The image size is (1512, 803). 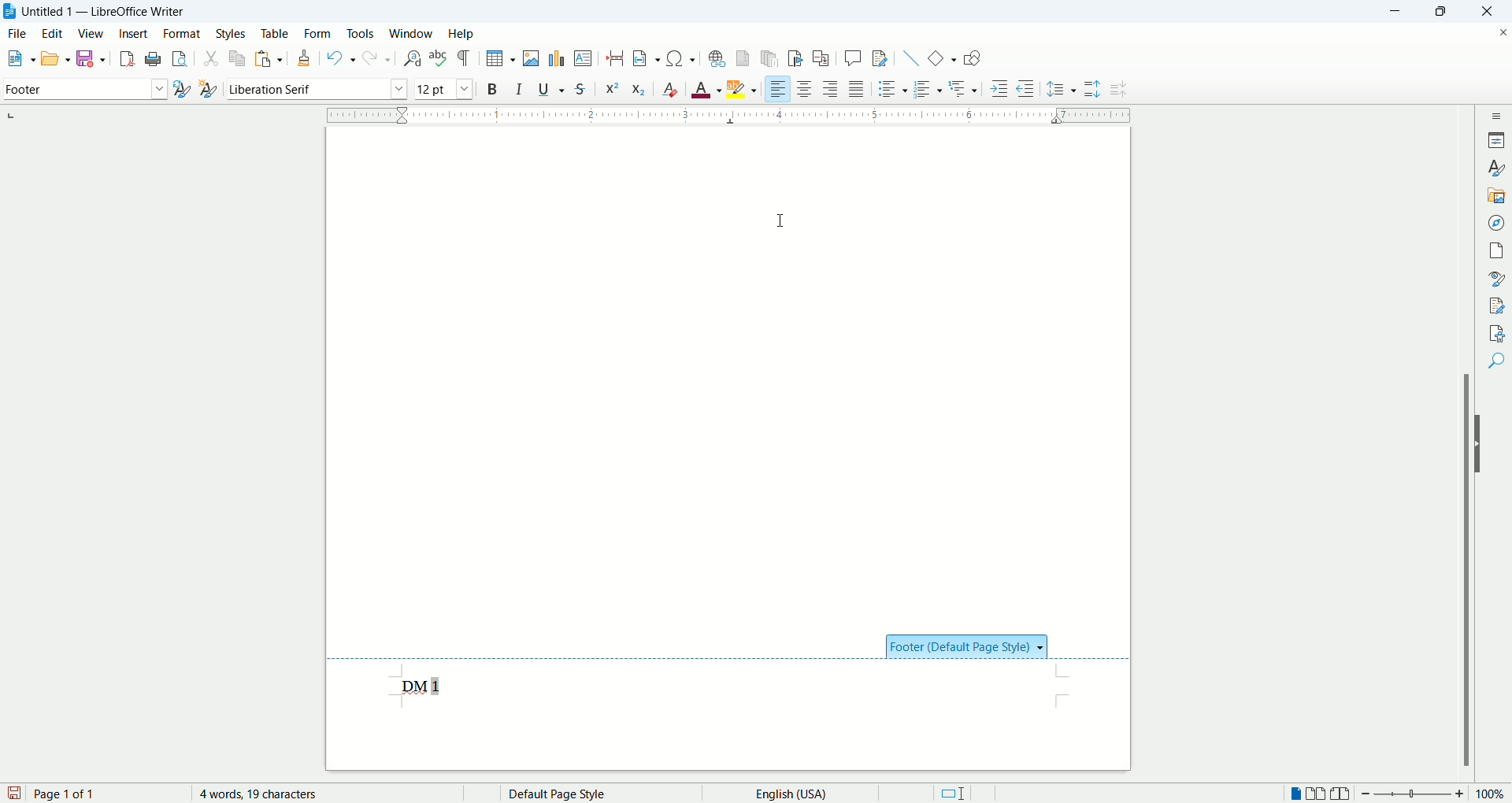 I want to click on main page, so click(x=730, y=372).